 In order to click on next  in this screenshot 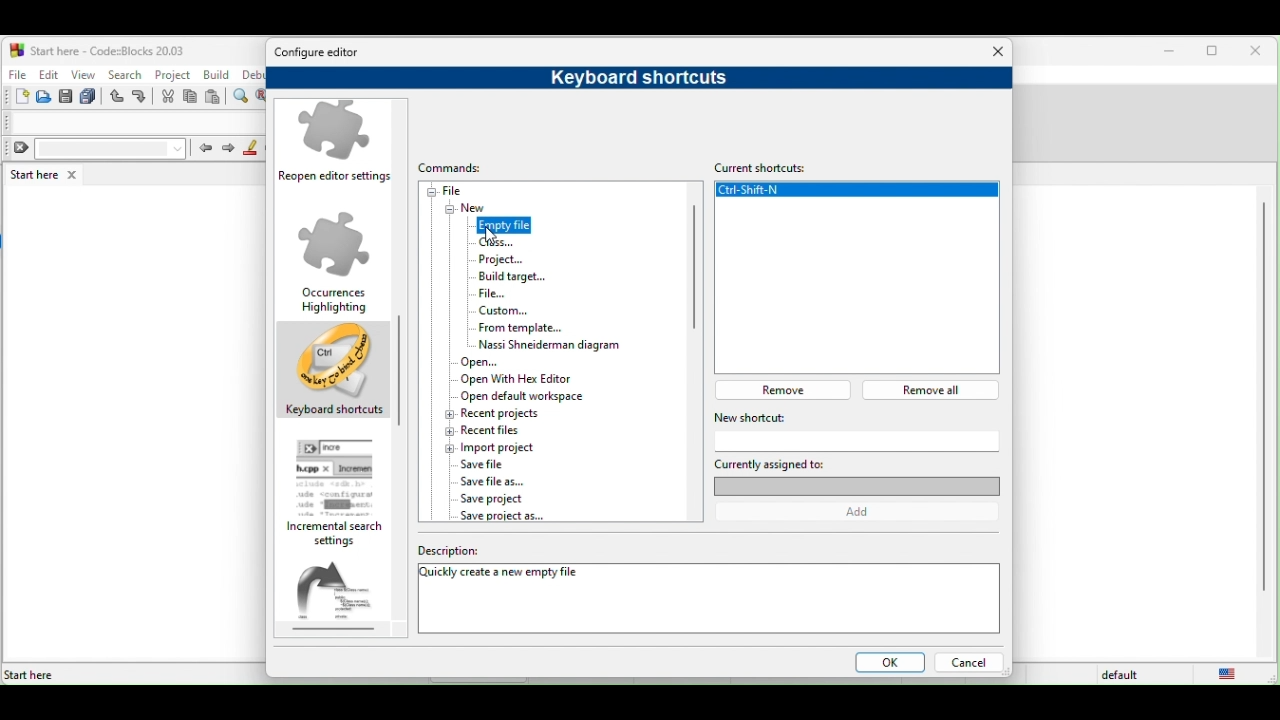, I will do `click(228, 149)`.